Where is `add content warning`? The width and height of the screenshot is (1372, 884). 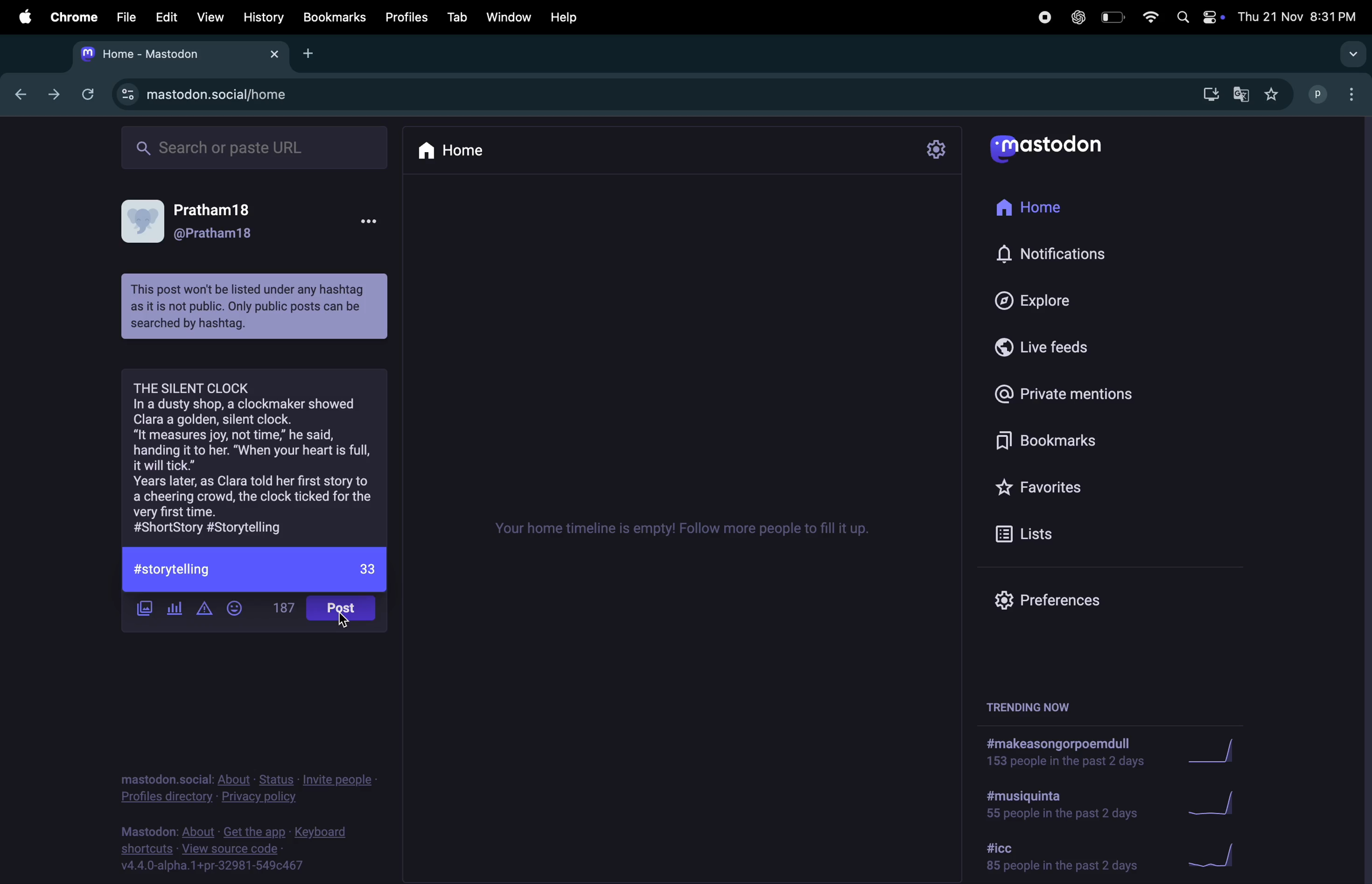
add content warning is located at coordinates (204, 611).